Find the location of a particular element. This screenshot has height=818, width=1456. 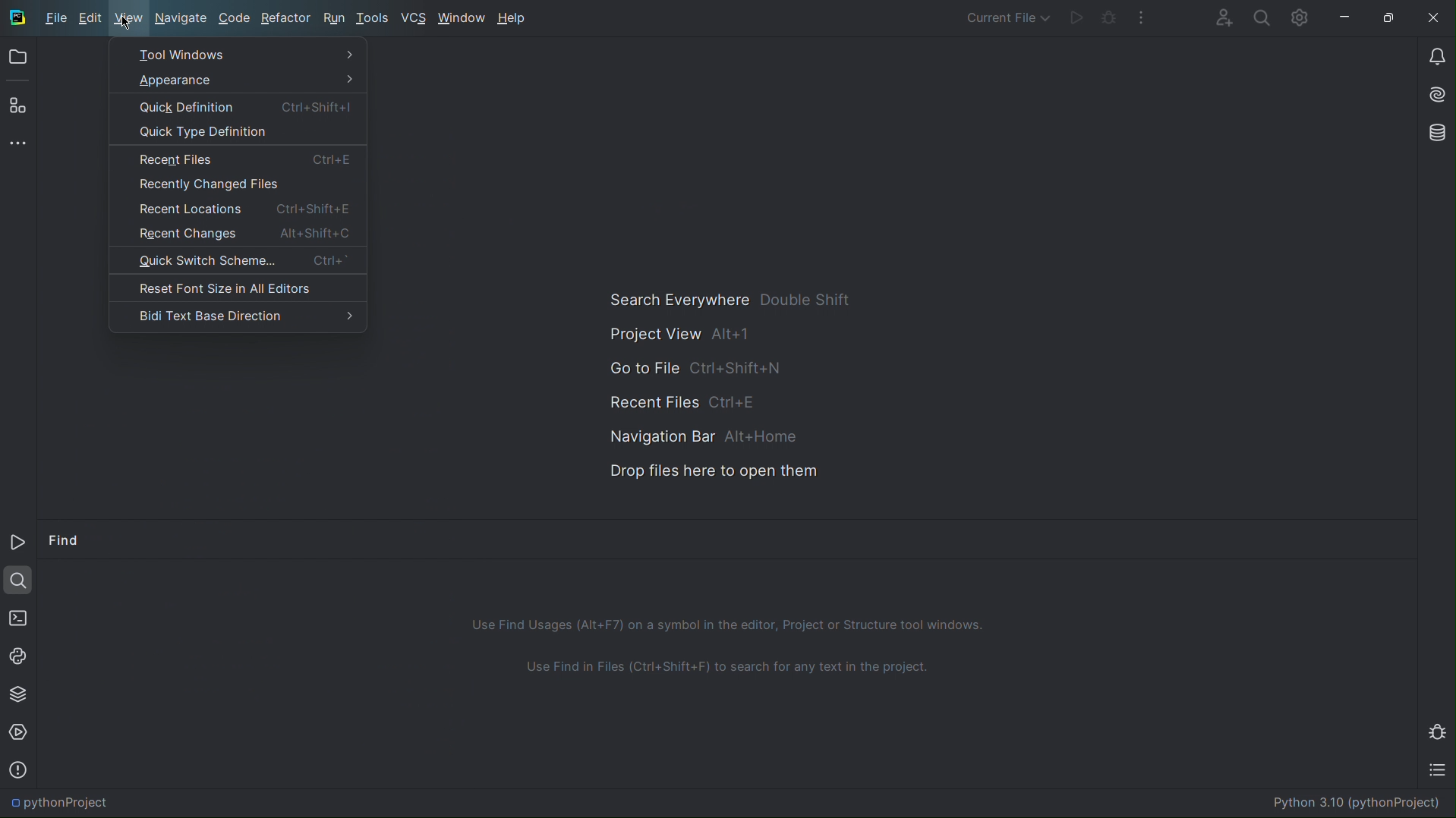

AI Assistant is located at coordinates (1434, 96).